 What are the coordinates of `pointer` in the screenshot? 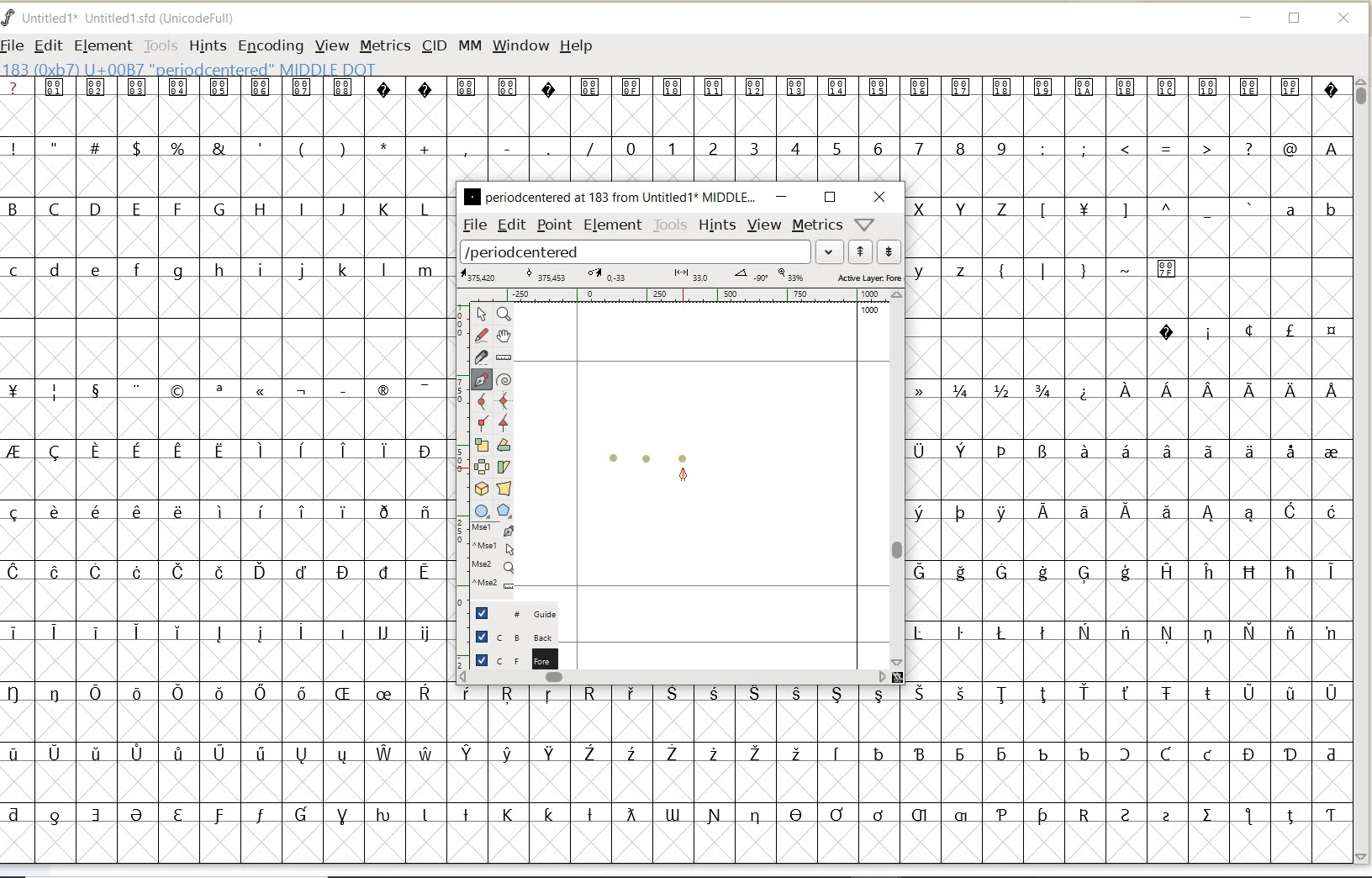 It's located at (481, 315).